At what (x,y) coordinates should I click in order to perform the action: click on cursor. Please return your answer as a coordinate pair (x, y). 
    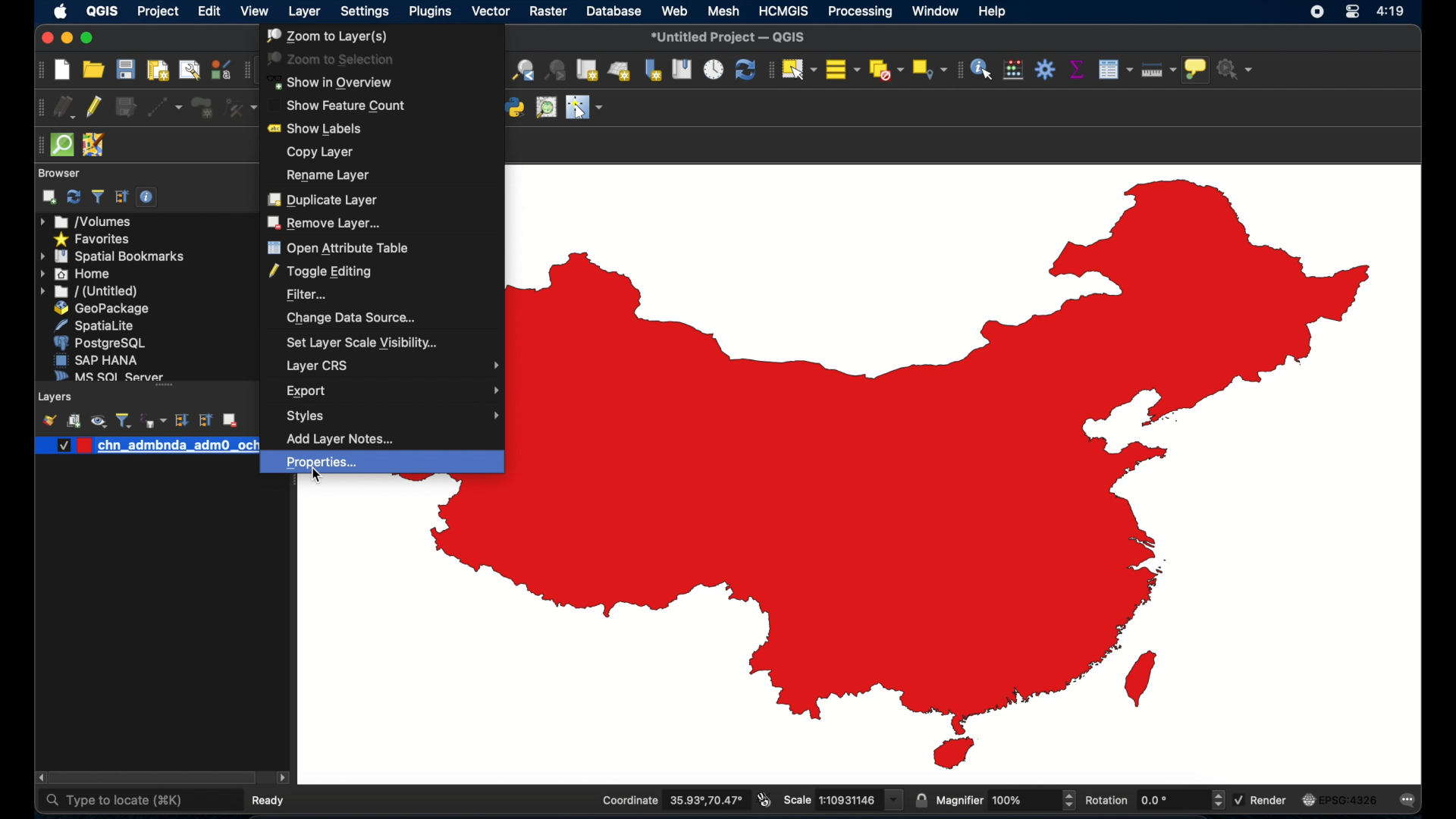
    Looking at the image, I should click on (317, 477).